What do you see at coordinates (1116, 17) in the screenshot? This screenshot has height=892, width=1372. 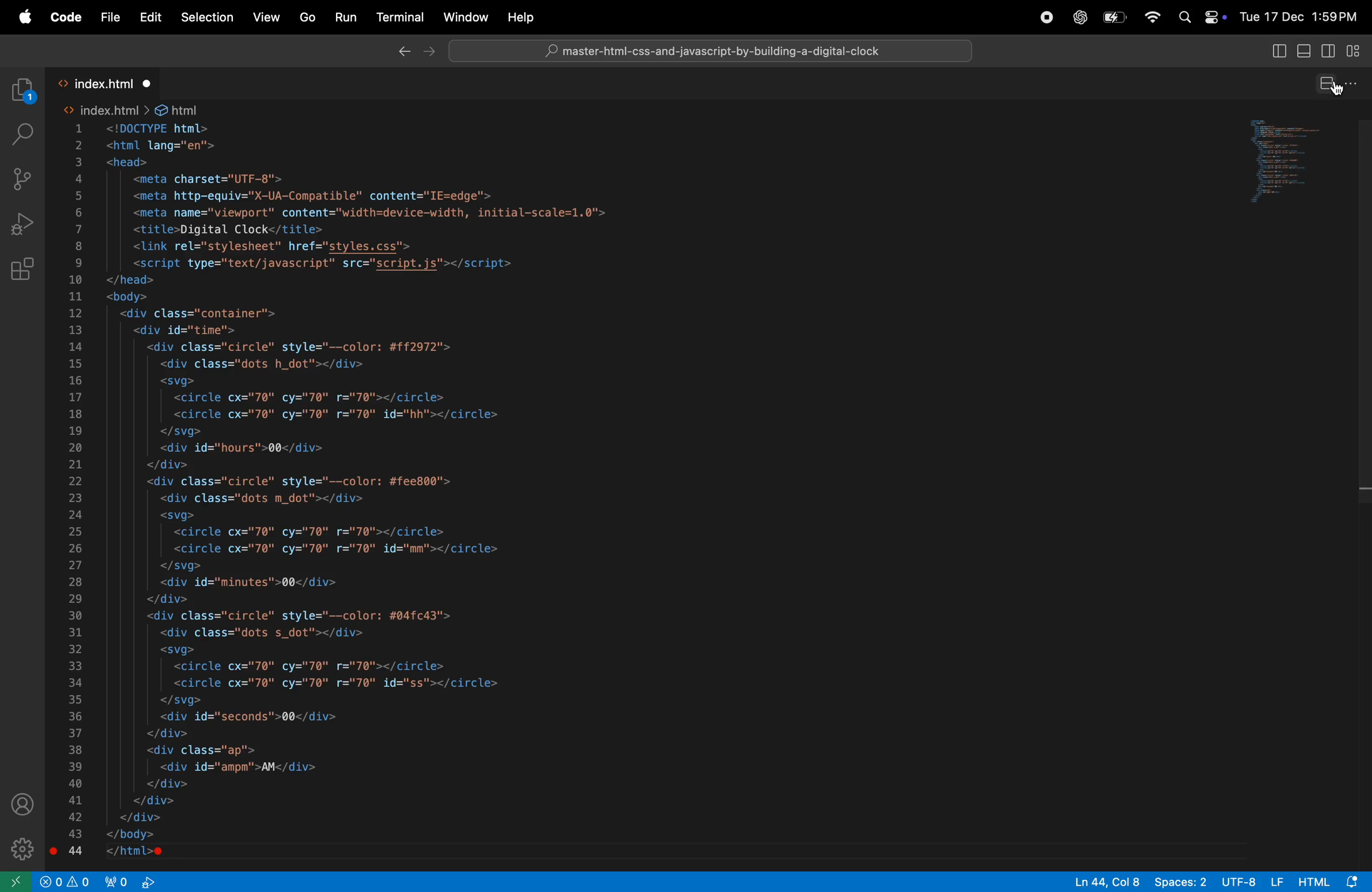 I see `Battery` at bounding box center [1116, 17].